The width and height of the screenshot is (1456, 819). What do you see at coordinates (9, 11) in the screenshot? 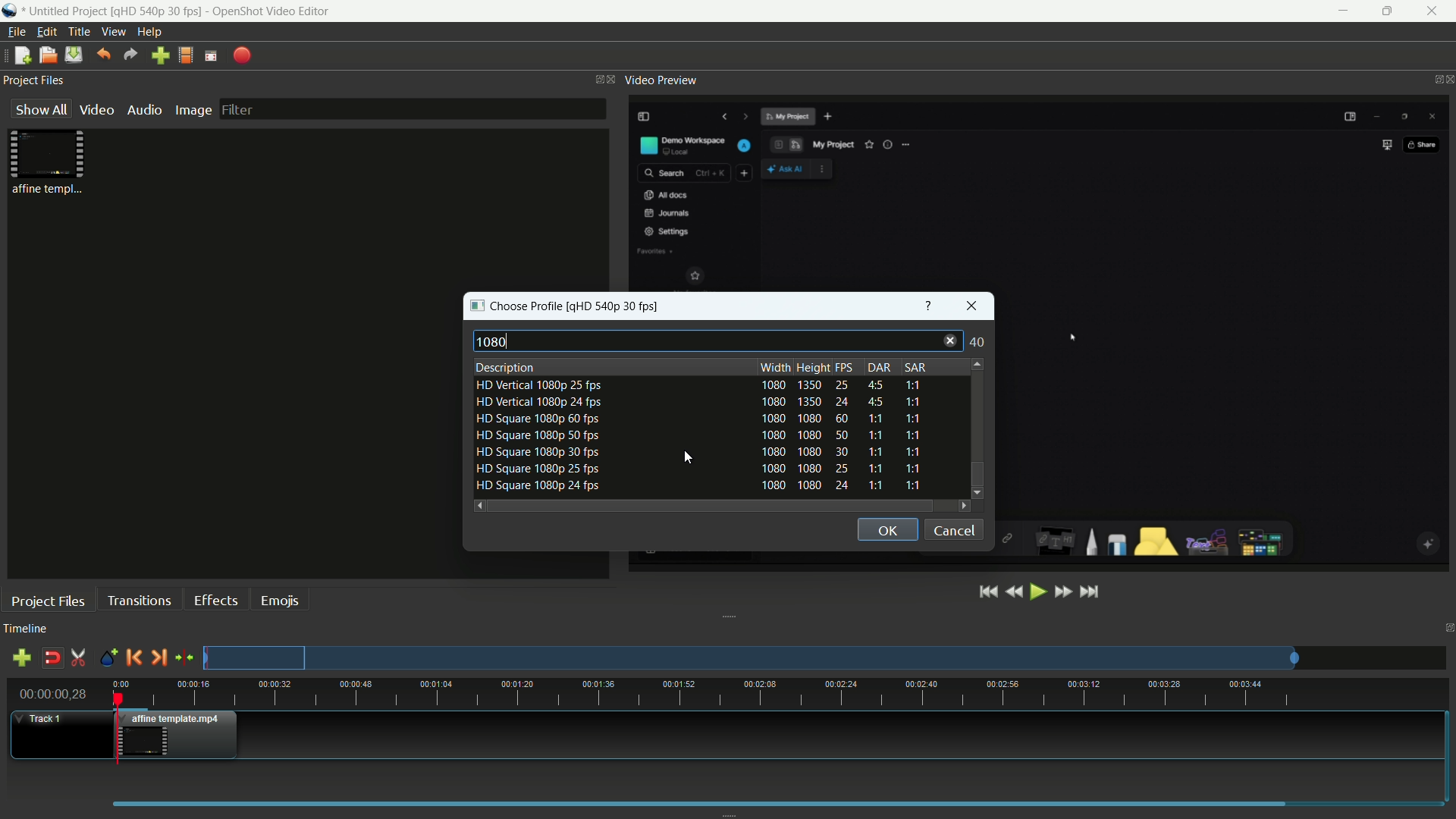
I see `app icon` at bounding box center [9, 11].